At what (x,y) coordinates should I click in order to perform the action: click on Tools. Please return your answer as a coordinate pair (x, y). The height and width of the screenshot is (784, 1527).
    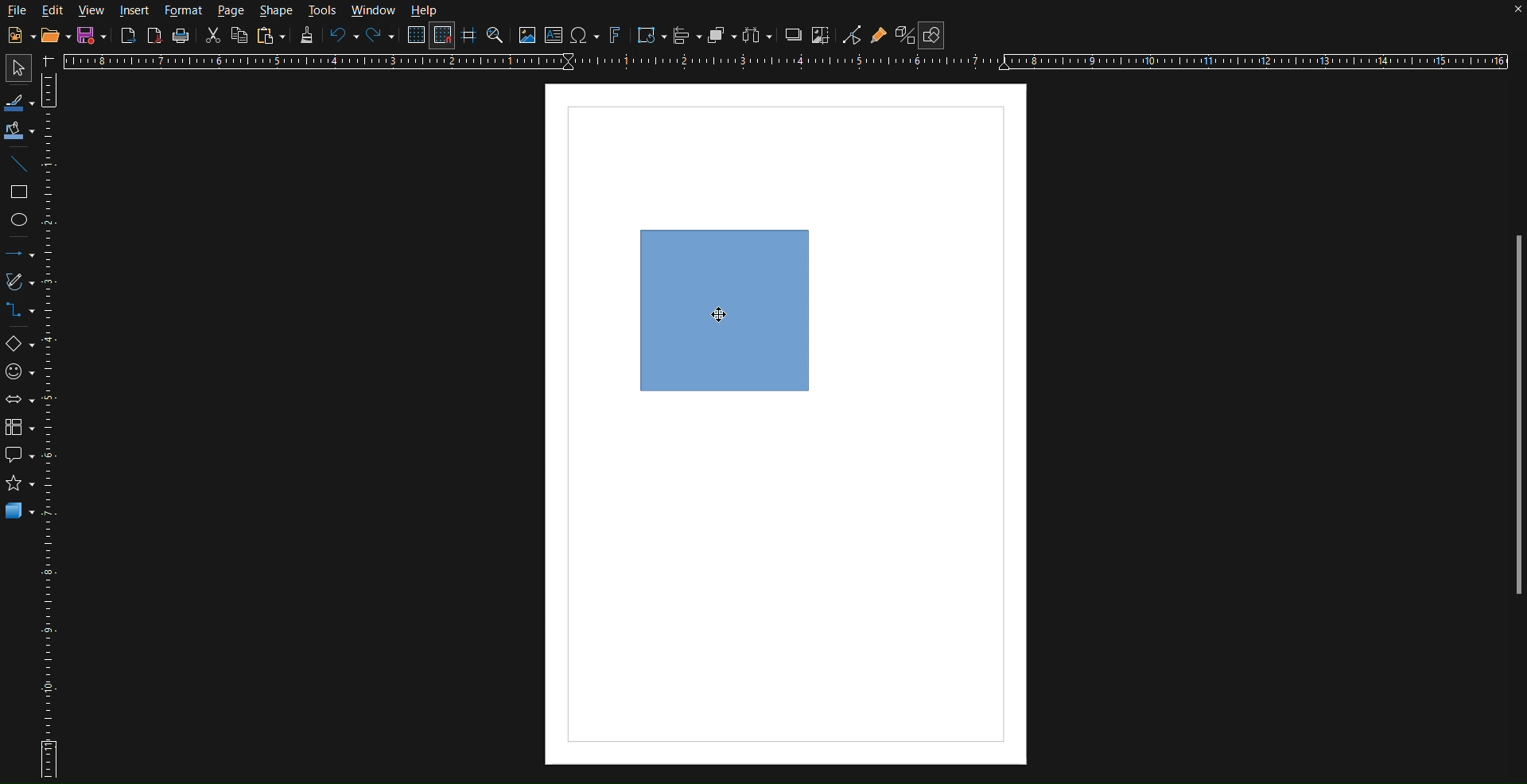
    Looking at the image, I should click on (323, 11).